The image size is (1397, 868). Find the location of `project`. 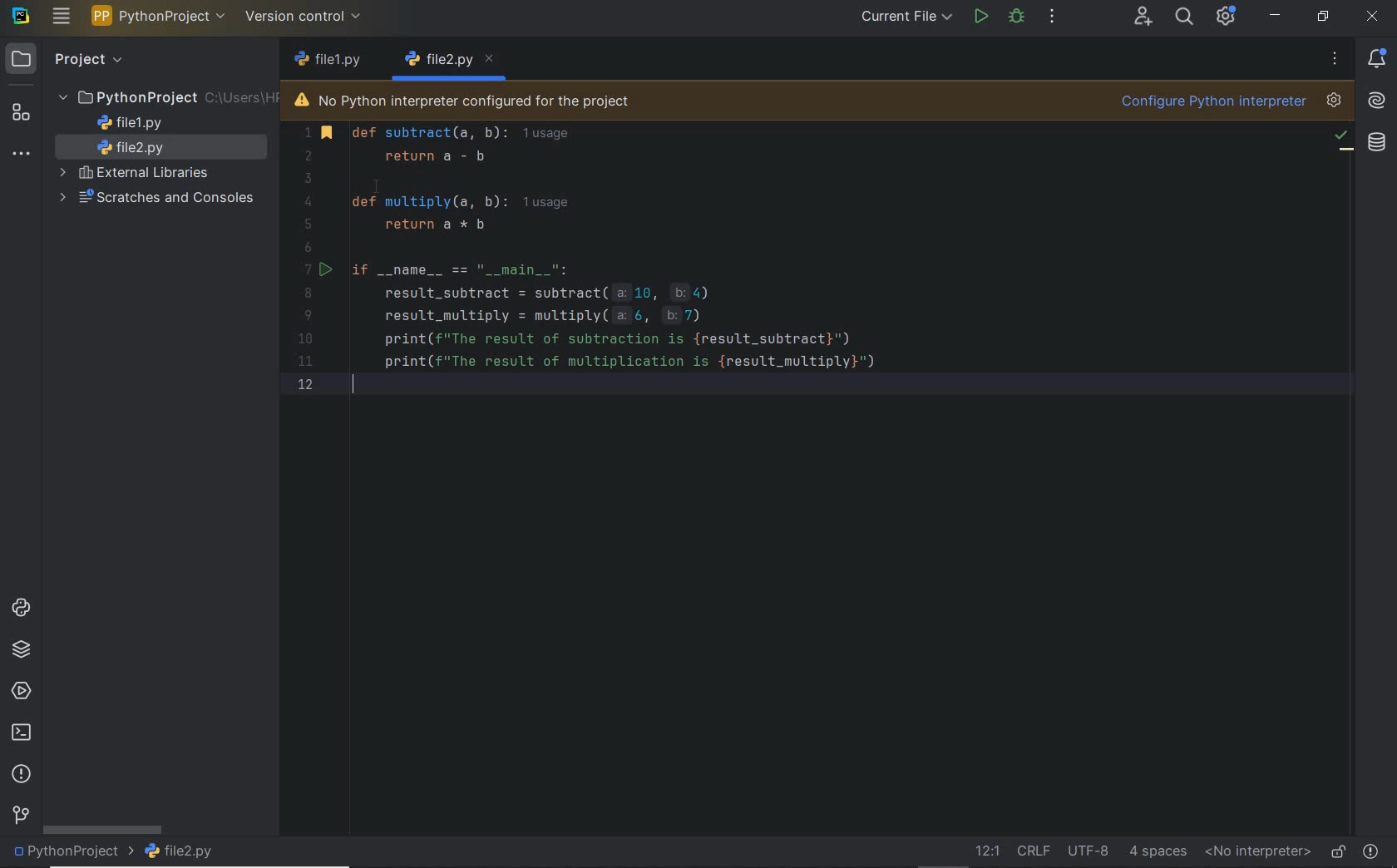

project is located at coordinates (67, 60).